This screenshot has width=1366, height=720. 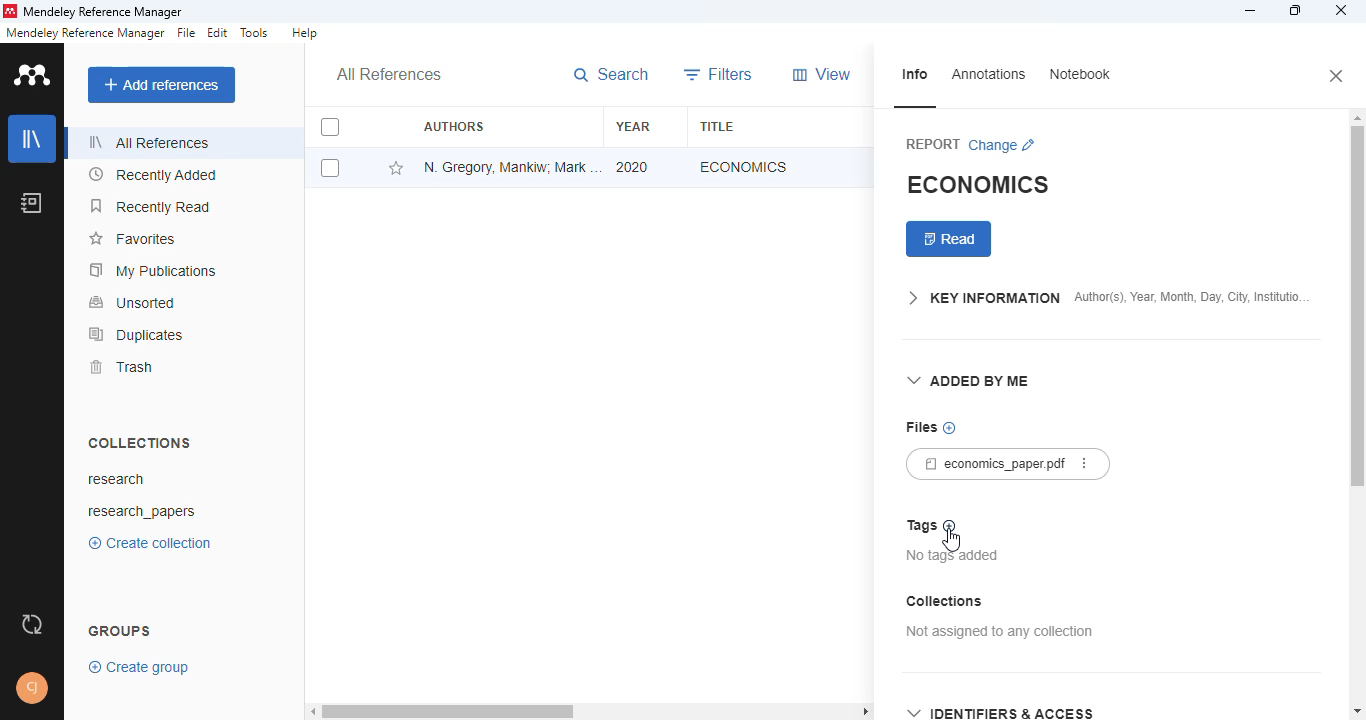 I want to click on profile, so click(x=32, y=689).